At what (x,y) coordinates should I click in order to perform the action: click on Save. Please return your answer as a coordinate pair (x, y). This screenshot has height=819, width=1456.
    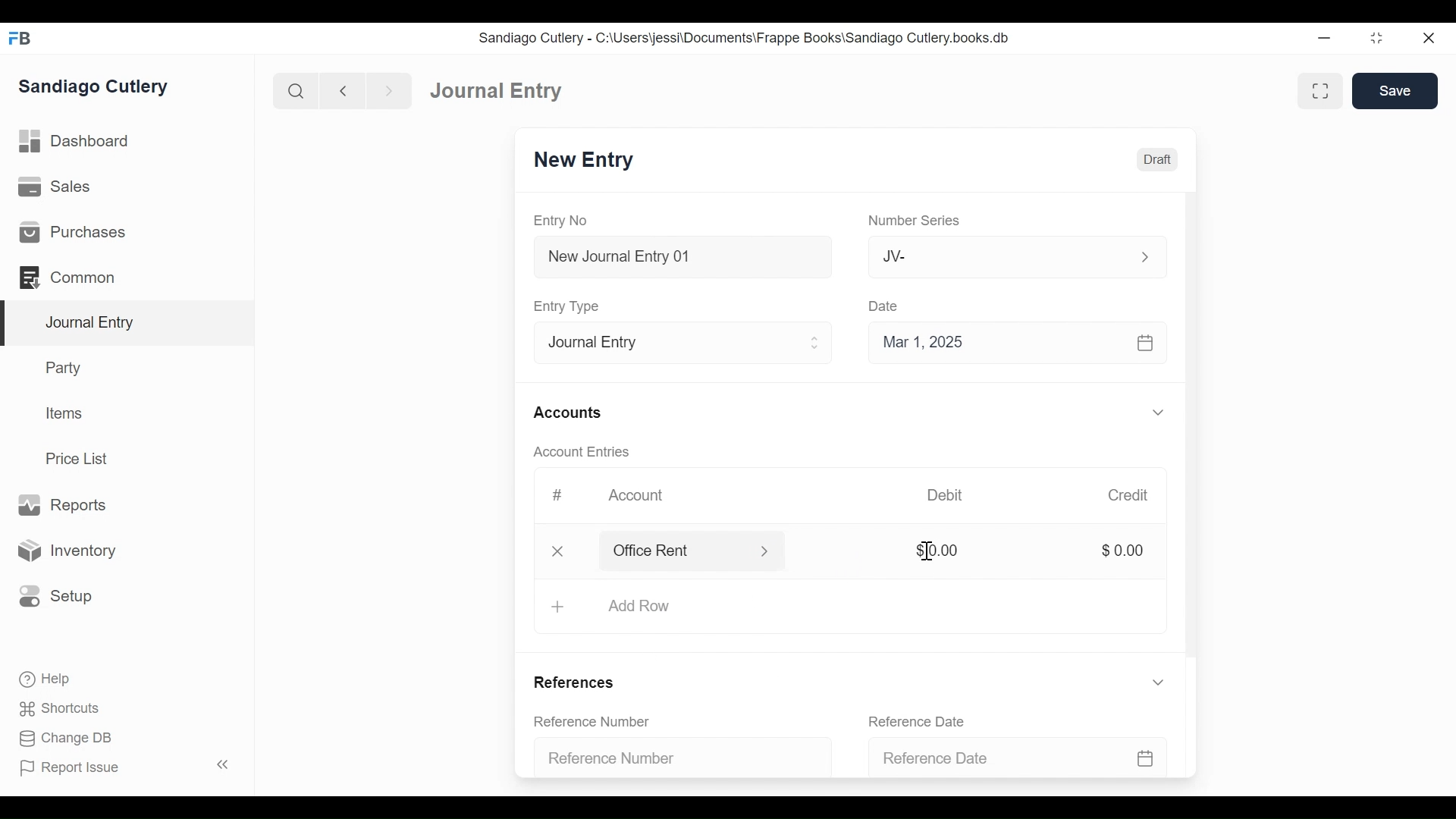
    Looking at the image, I should click on (1395, 90).